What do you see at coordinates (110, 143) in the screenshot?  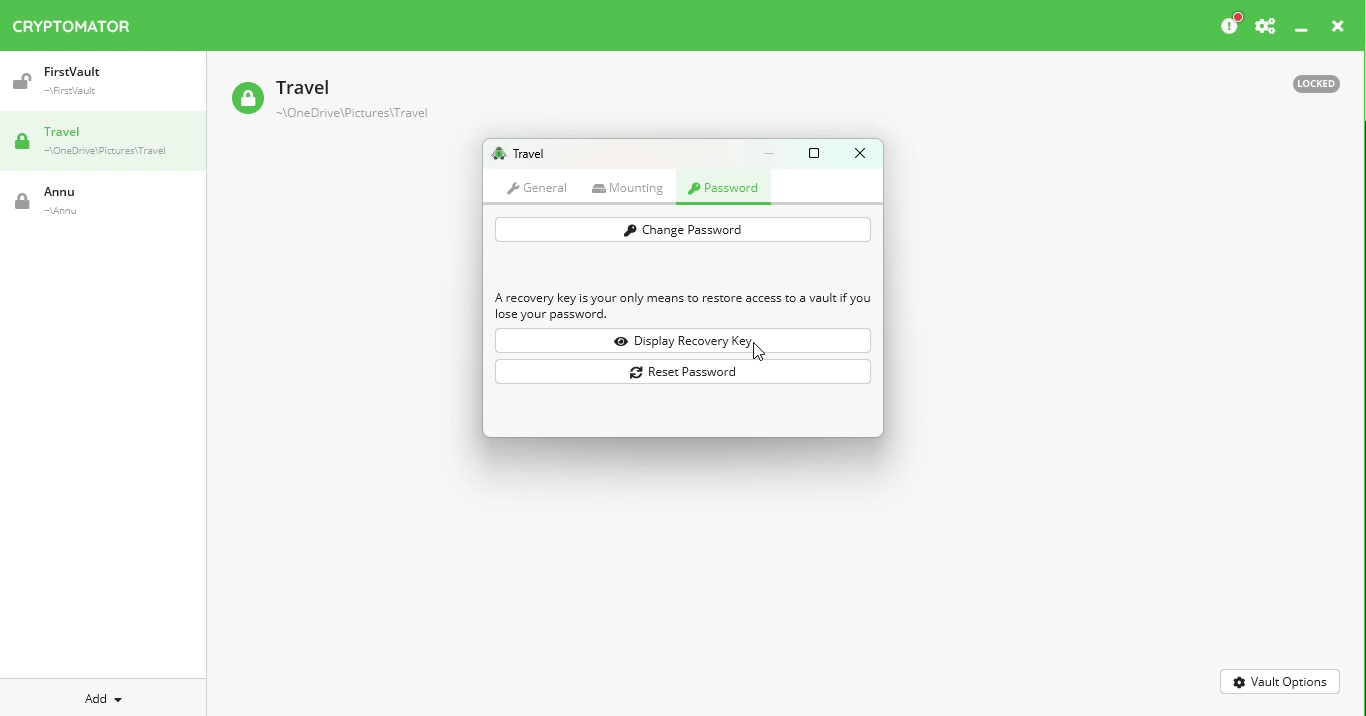 I see `Travel` at bounding box center [110, 143].